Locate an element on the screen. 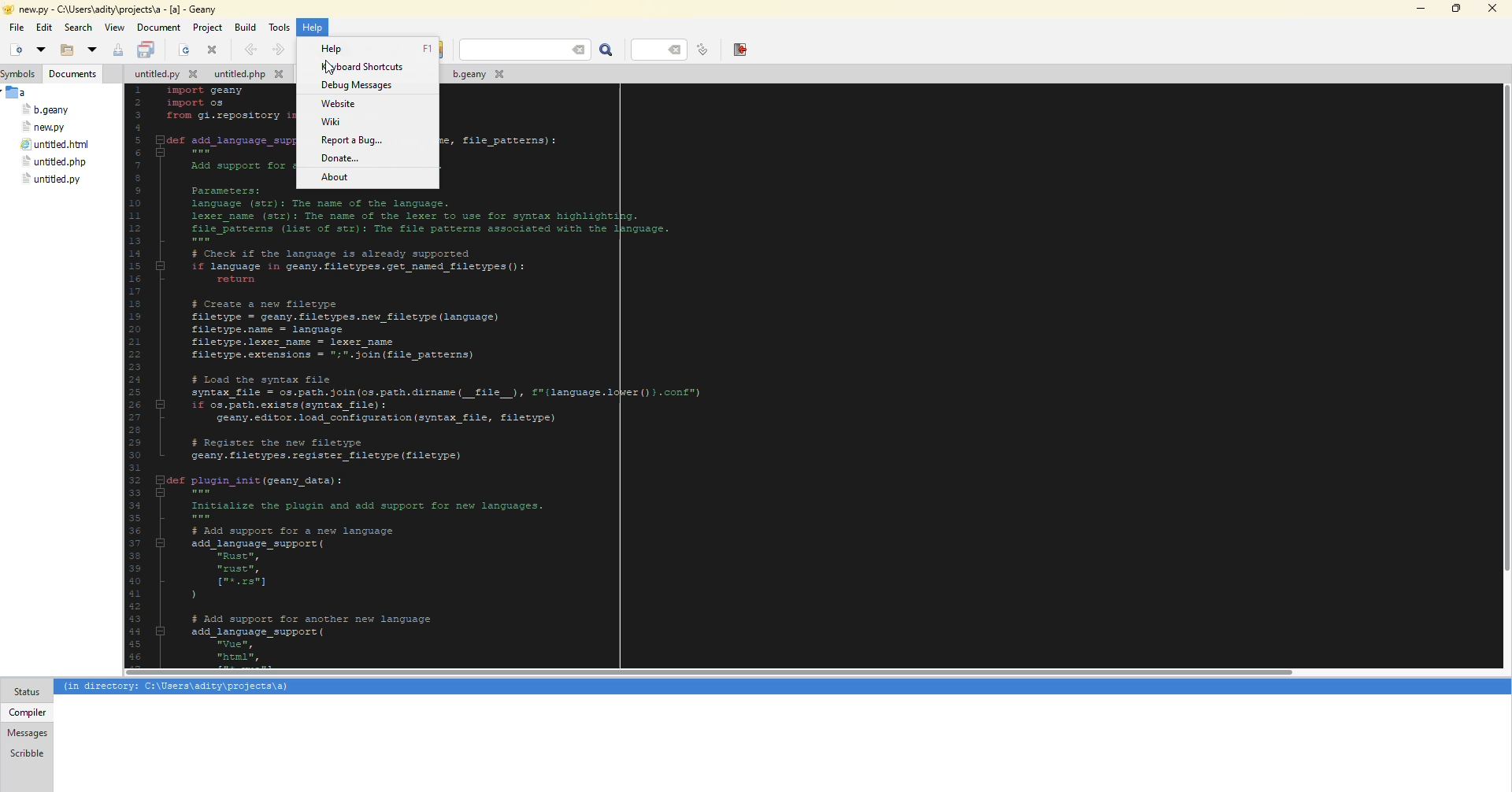  report a bug is located at coordinates (354, 140).